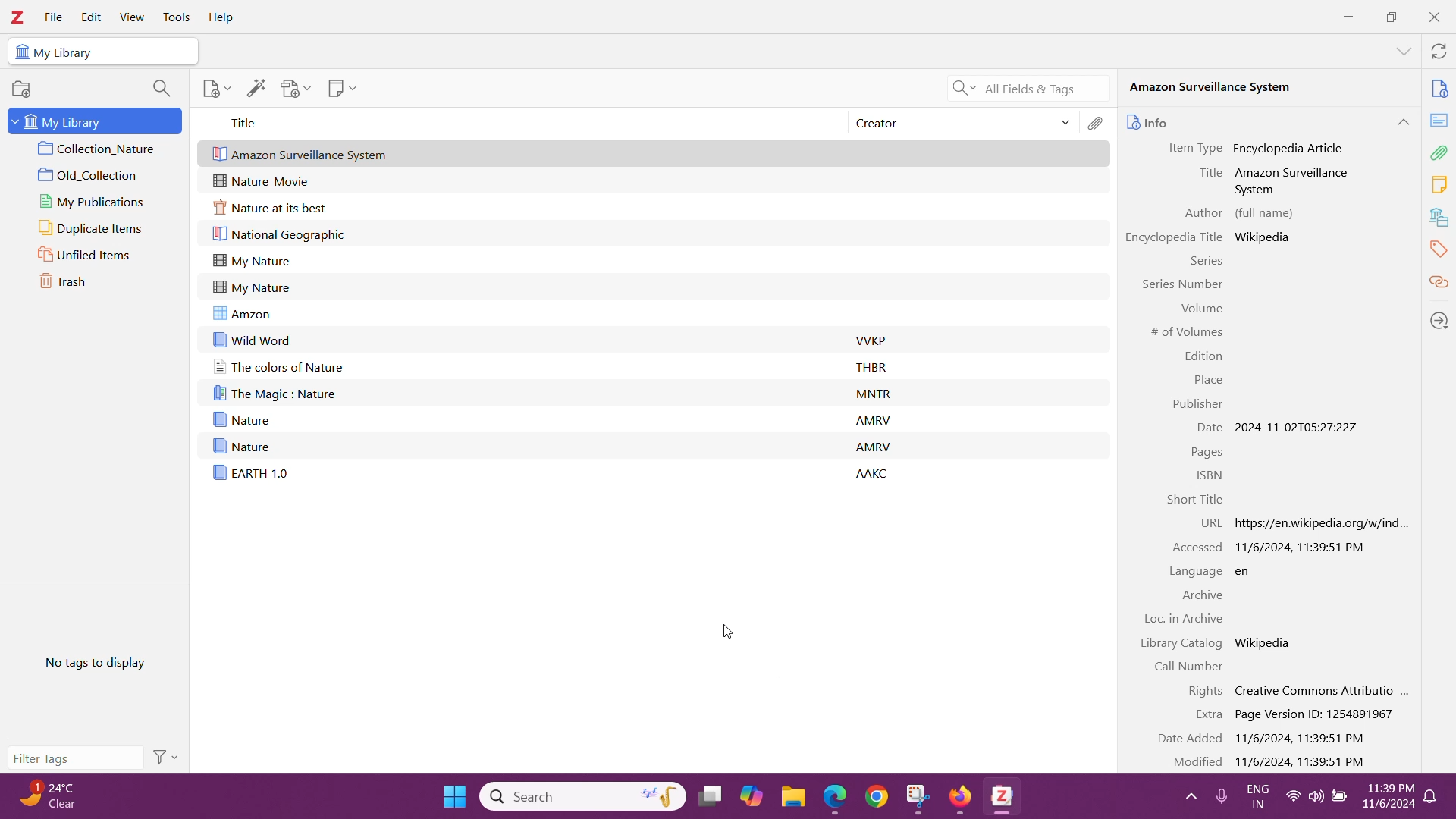 This screenshot has height=819, width=1456. I want to click on Collection 2, so click(107, 175).